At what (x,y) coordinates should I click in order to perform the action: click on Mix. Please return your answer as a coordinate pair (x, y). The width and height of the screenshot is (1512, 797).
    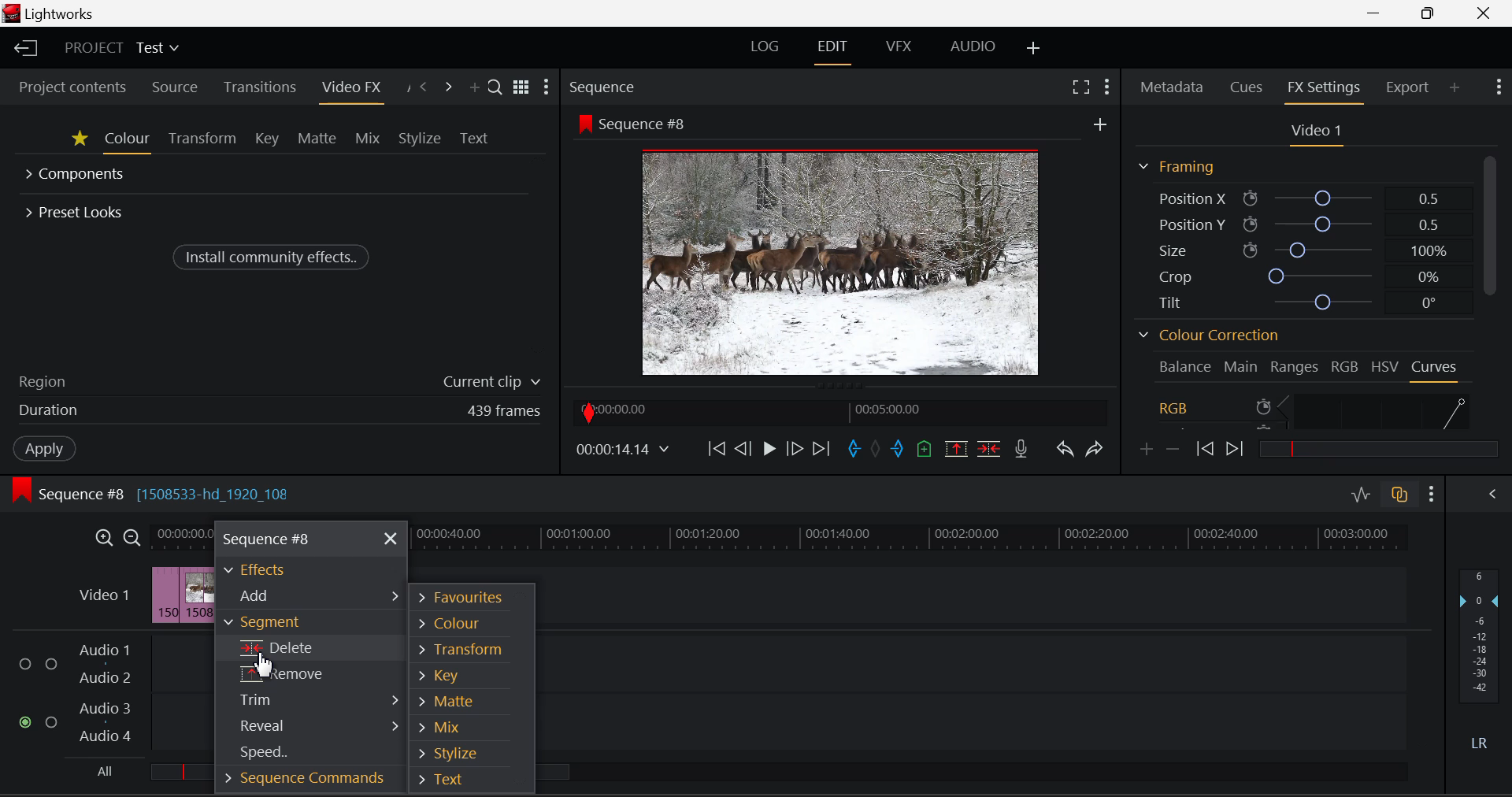
    Looking at the image, I should click on (447, 726).